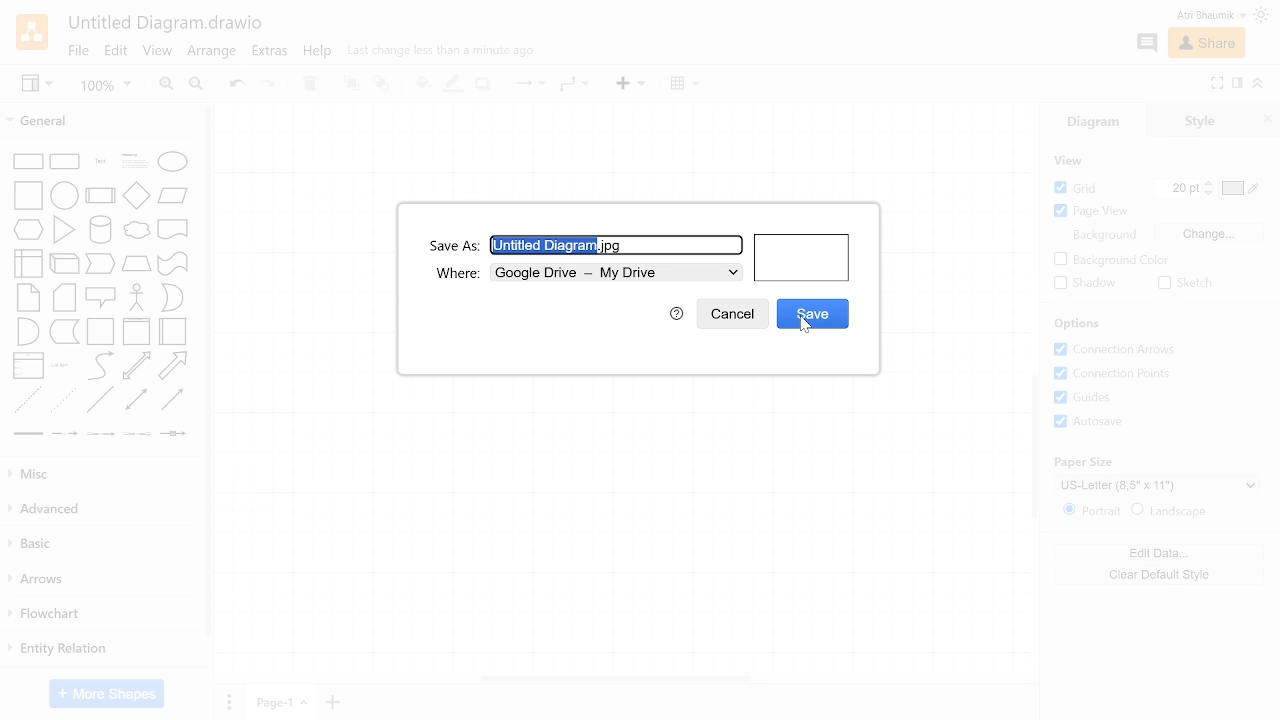 Image resolution: width=1280 pixels, height=720 pixels. Describe the element at coordinates (1083, 460) in the screenshot. I see `Paper Size` at that location.